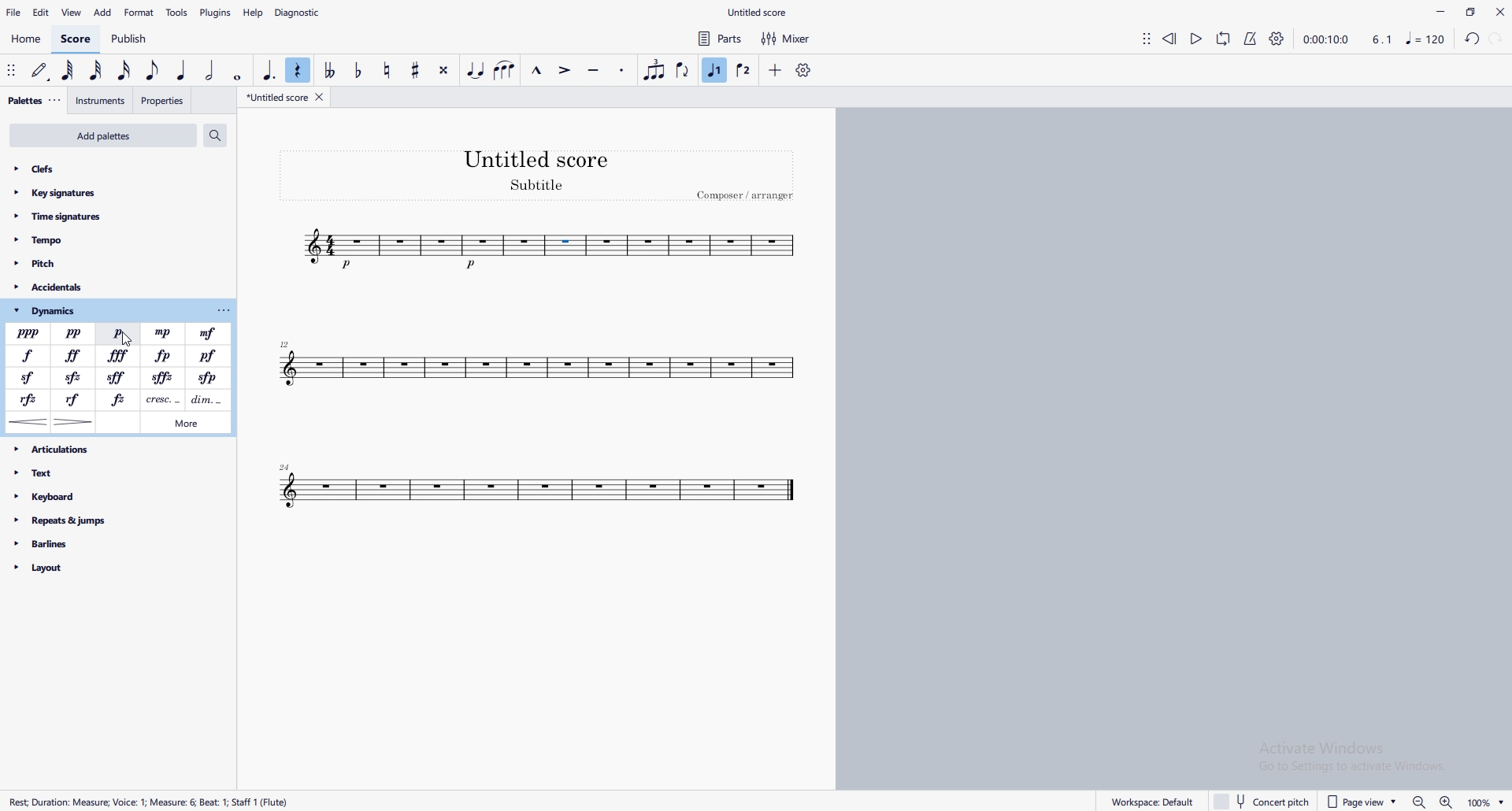  Describe the element at coordinates (154, 70) in the screenshot. I see `eighth note` at that location.